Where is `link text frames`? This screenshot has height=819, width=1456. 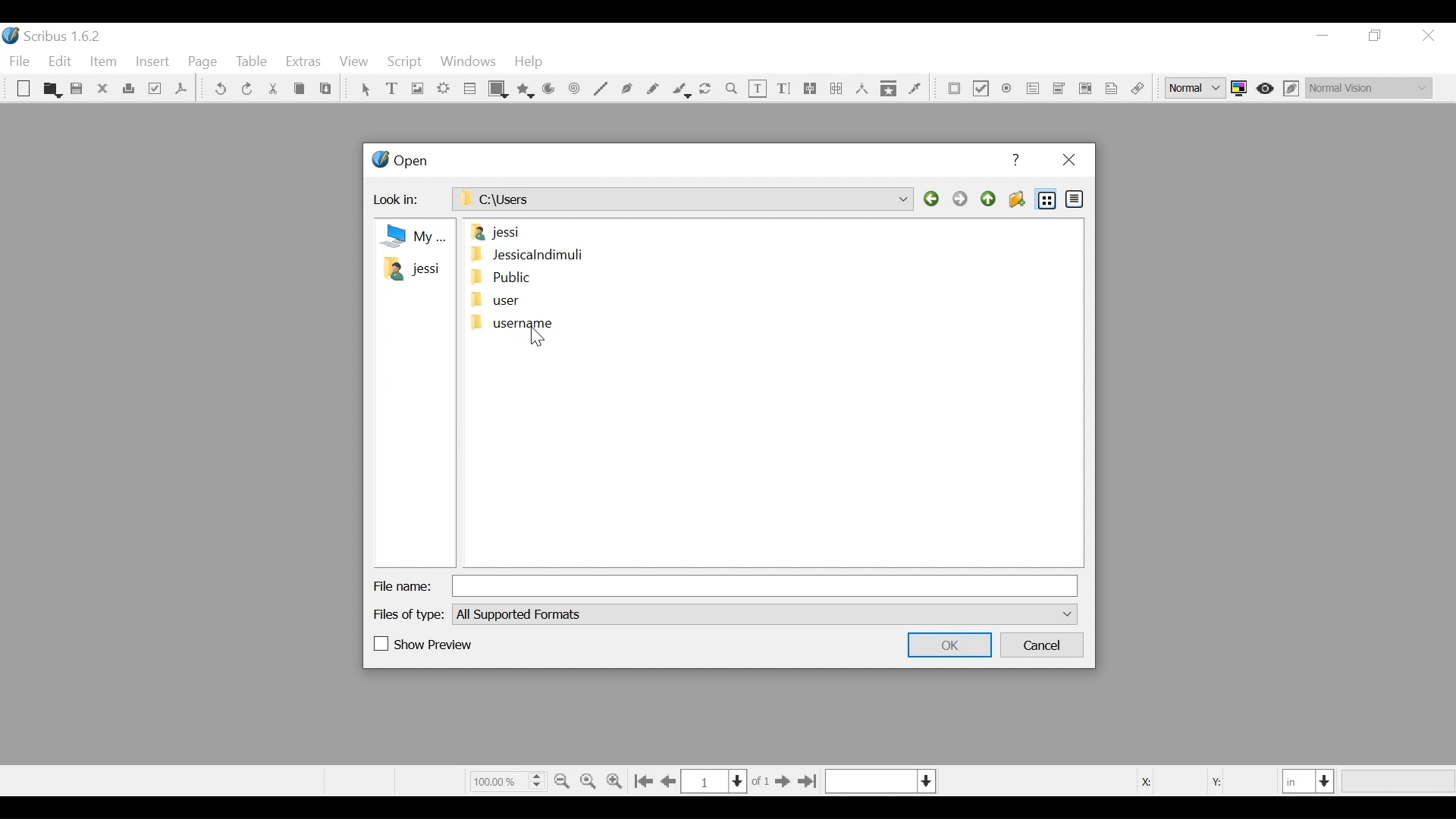
link text frames is located at coordinates (811, 89).